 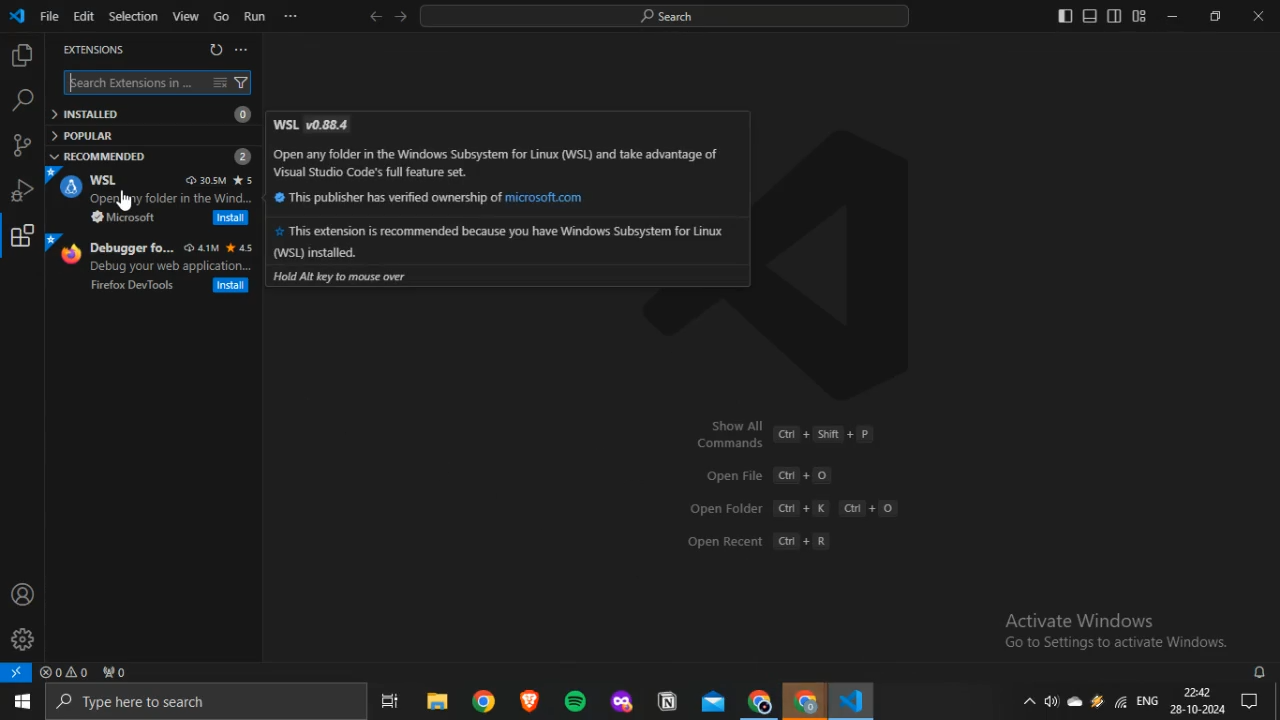 I want to click on Selection, so click(x=132, y=16).